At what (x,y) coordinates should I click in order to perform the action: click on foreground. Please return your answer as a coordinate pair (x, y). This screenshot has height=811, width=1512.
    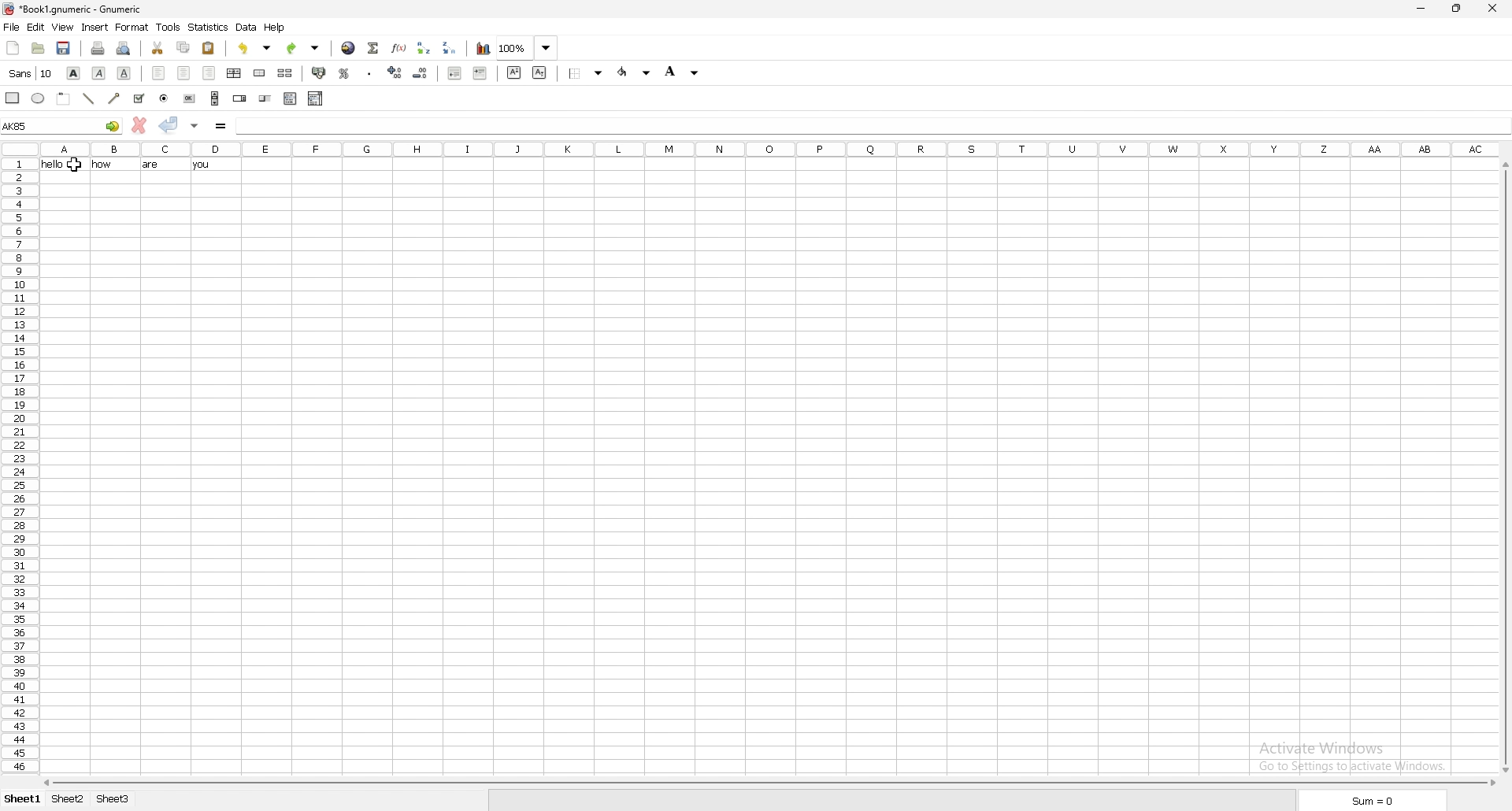
    Looking at the image, I should click on (634, 72).